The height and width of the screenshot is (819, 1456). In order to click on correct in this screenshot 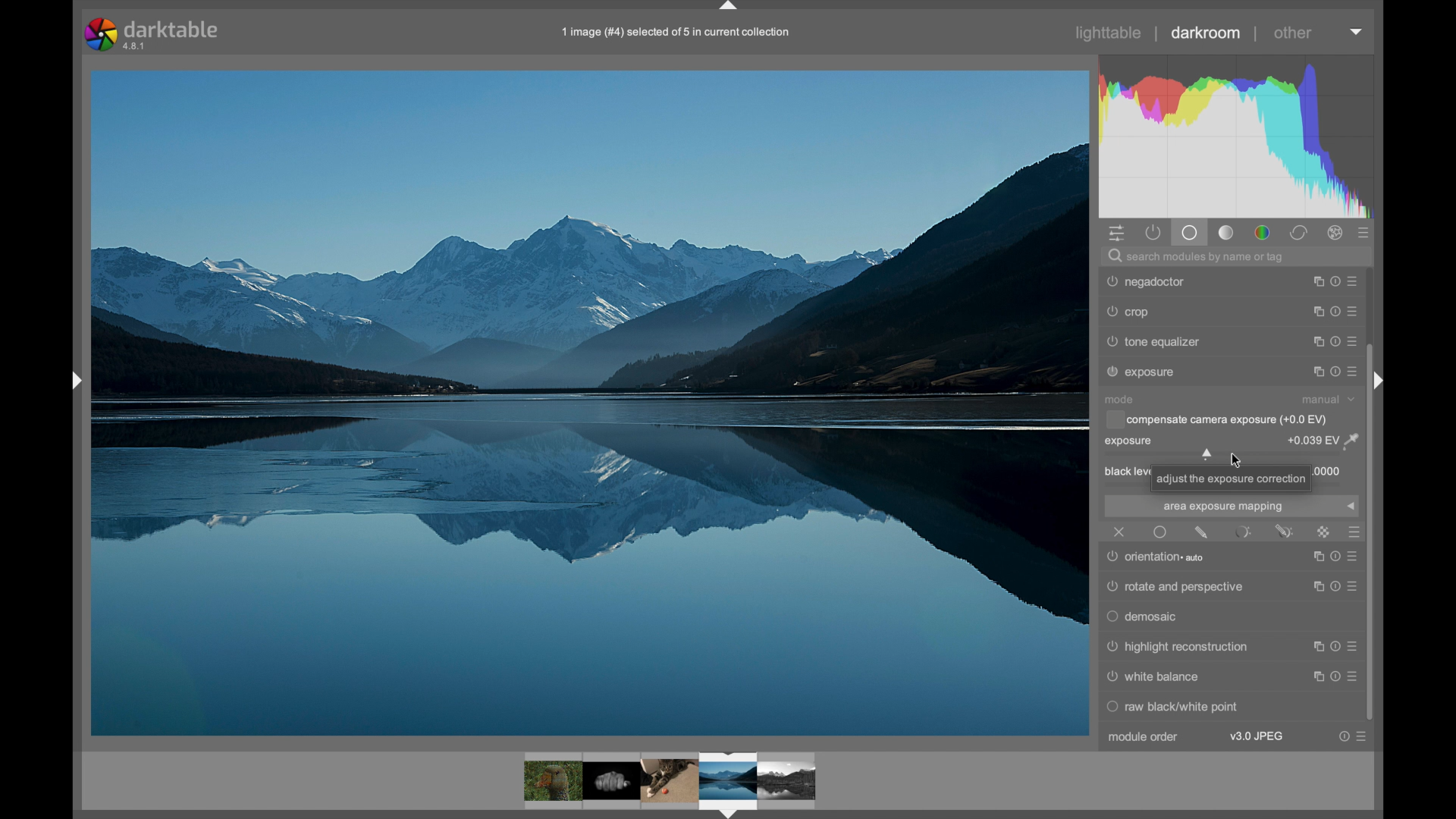, I will do `click(1299, 233)`.